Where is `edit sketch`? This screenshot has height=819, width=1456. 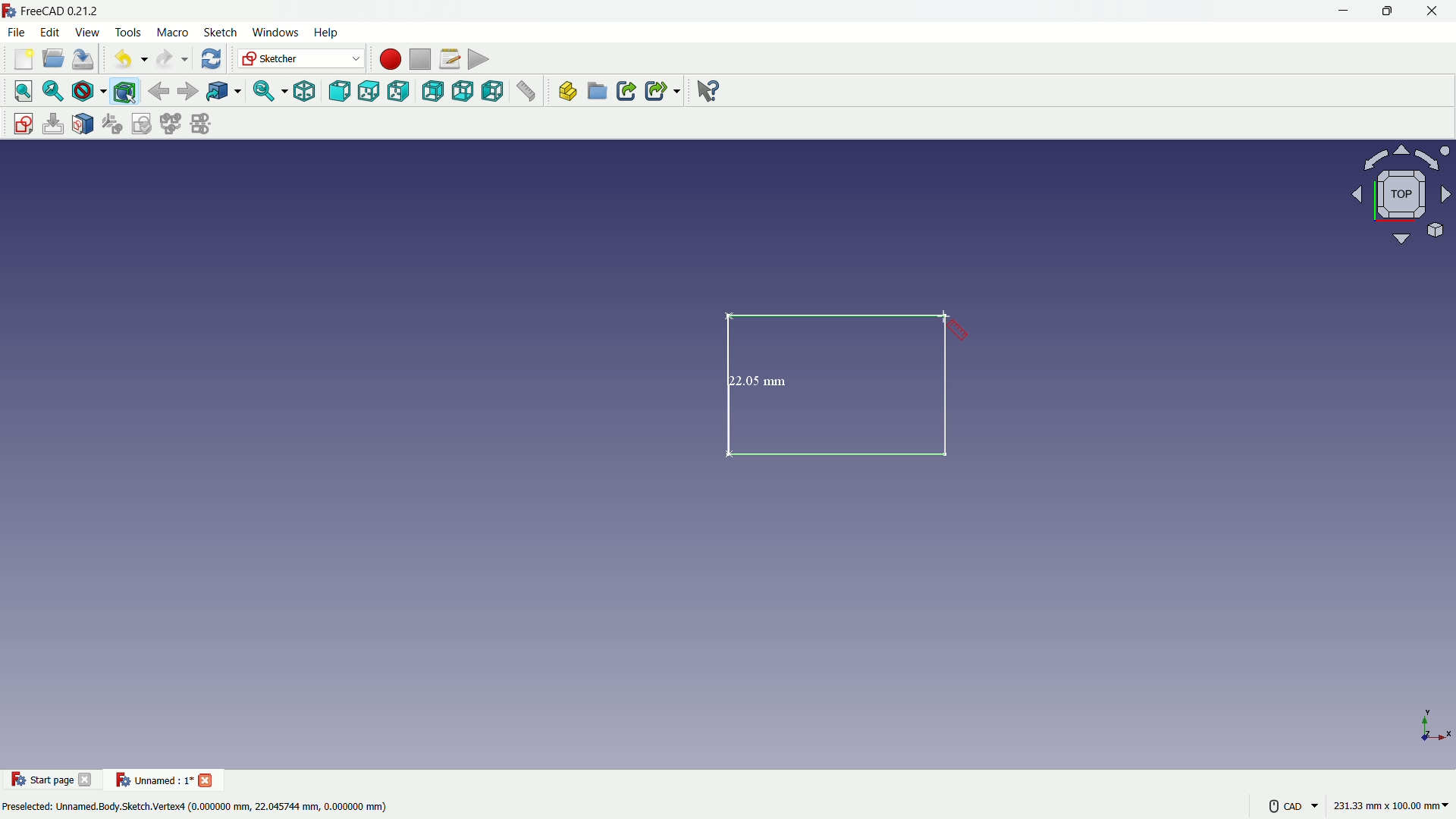 edit sketch is located at coordinates (52, 124).